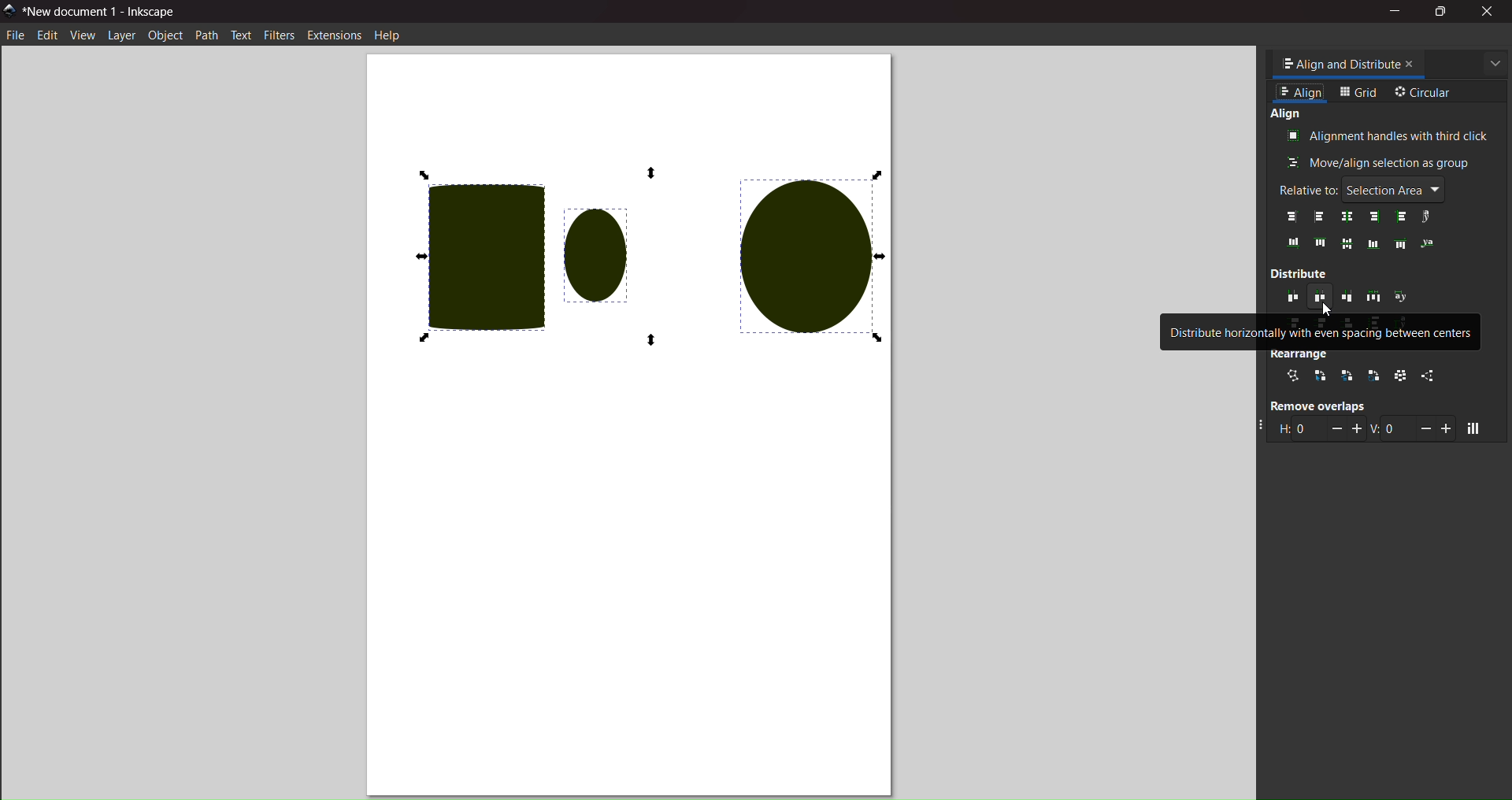 The width and height of the screenshot is (1512, 800). Describe the element at coordinates (1297, 242) in the screenshot. I see `bottom edges` at that location.